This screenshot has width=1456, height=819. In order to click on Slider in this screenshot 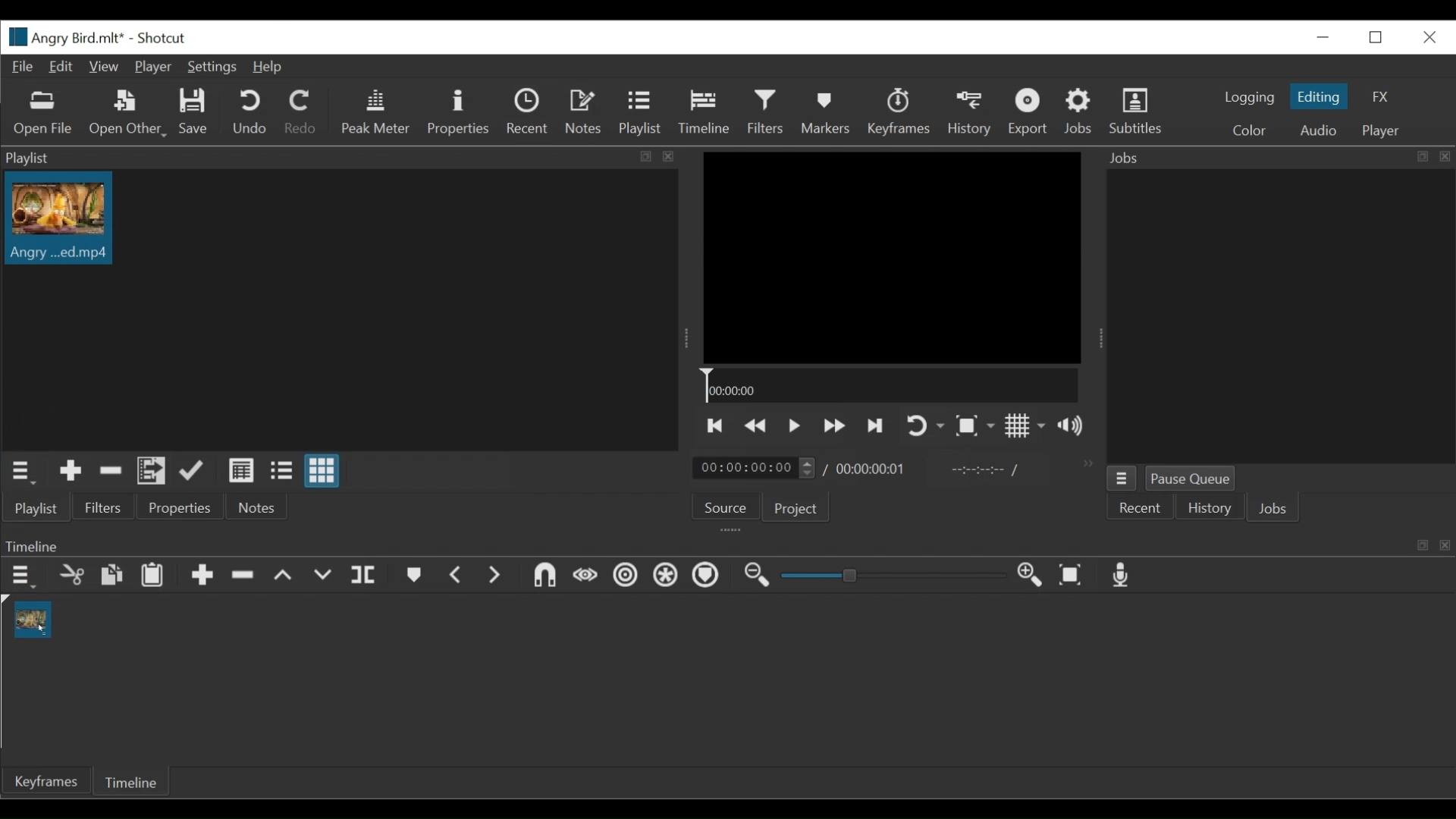, I will do `click(894, 576)`.